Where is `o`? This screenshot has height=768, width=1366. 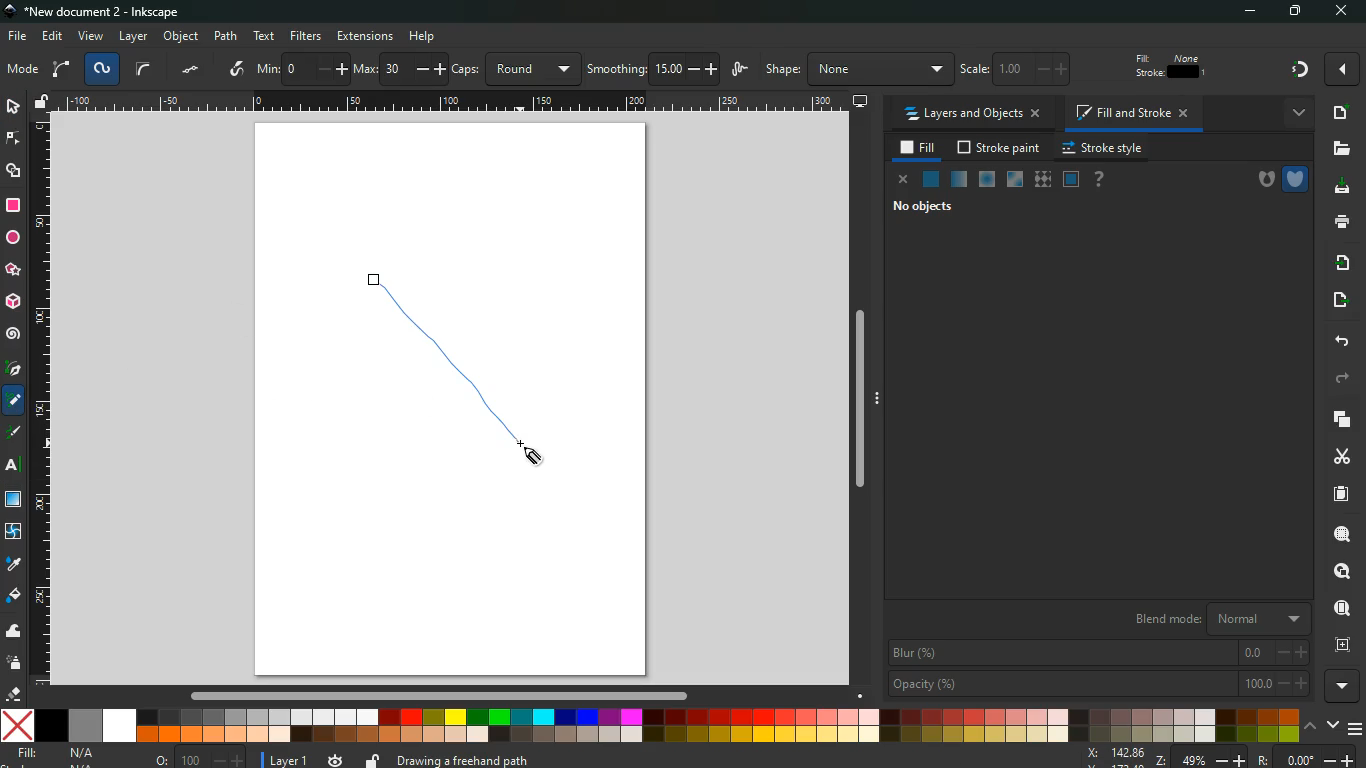
o is located at coordinates (201, 757).